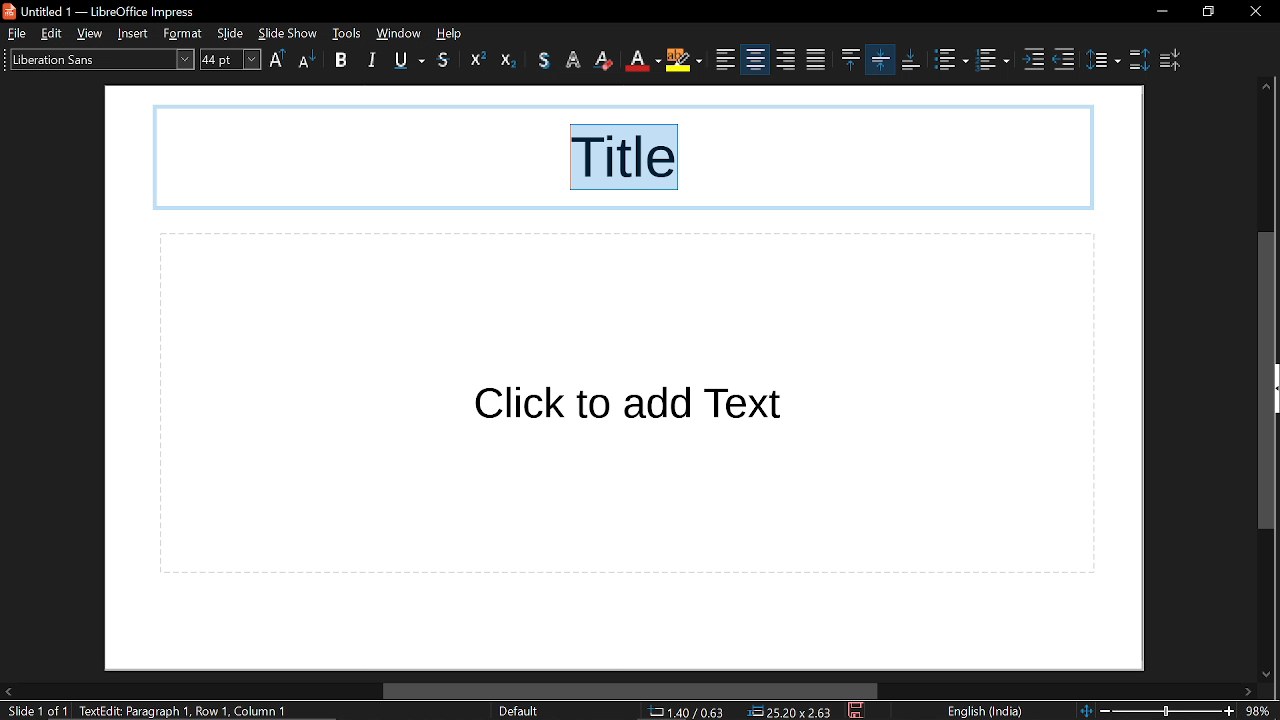 This screenshot has height=720, width=1280. What do you see at coordinates (1265, 88) in the screenshot?
I see `move up` at bounding box center [1265, 88].